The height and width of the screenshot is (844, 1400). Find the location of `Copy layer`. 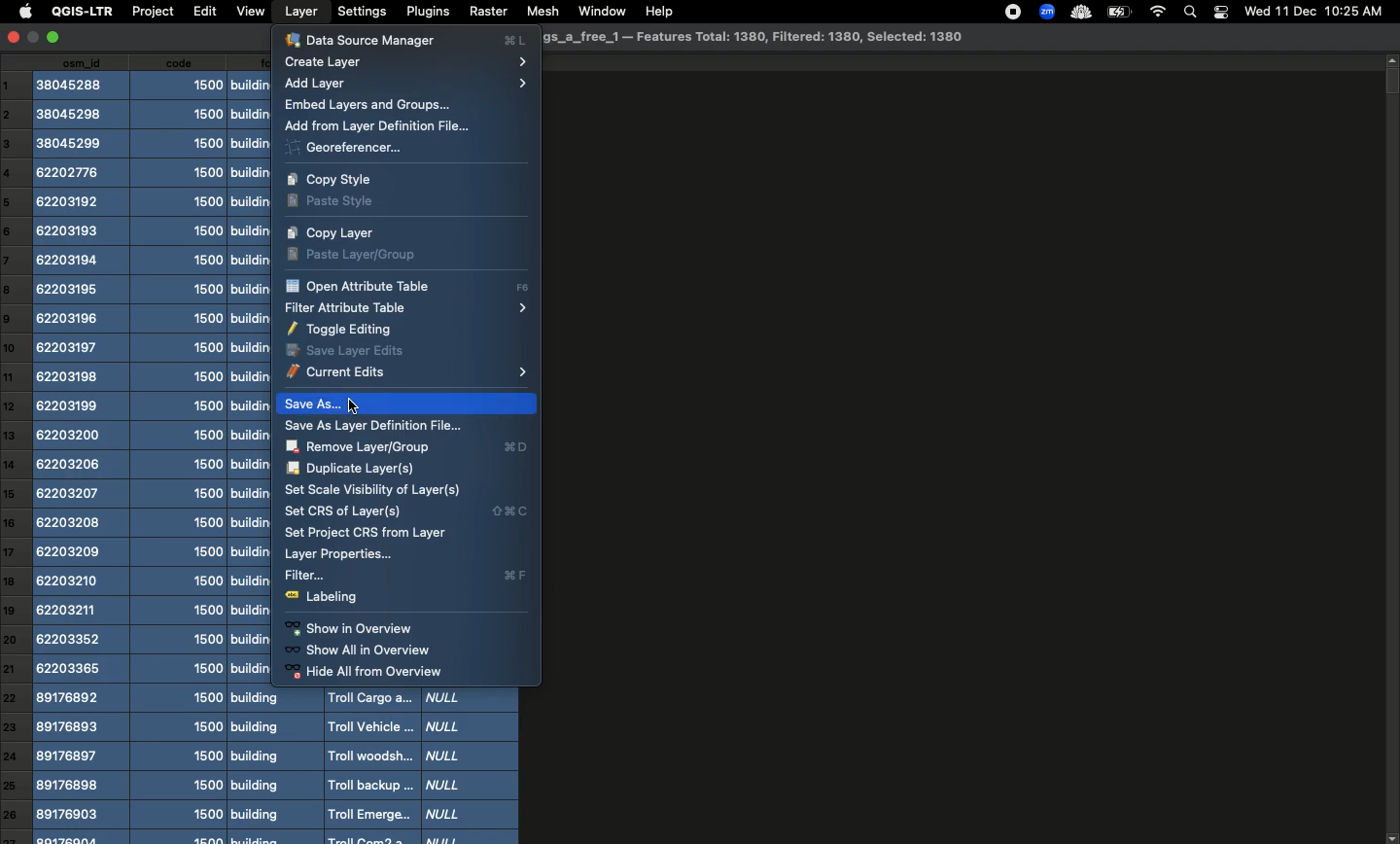

Copy layer is located at coordinates (332, 233).